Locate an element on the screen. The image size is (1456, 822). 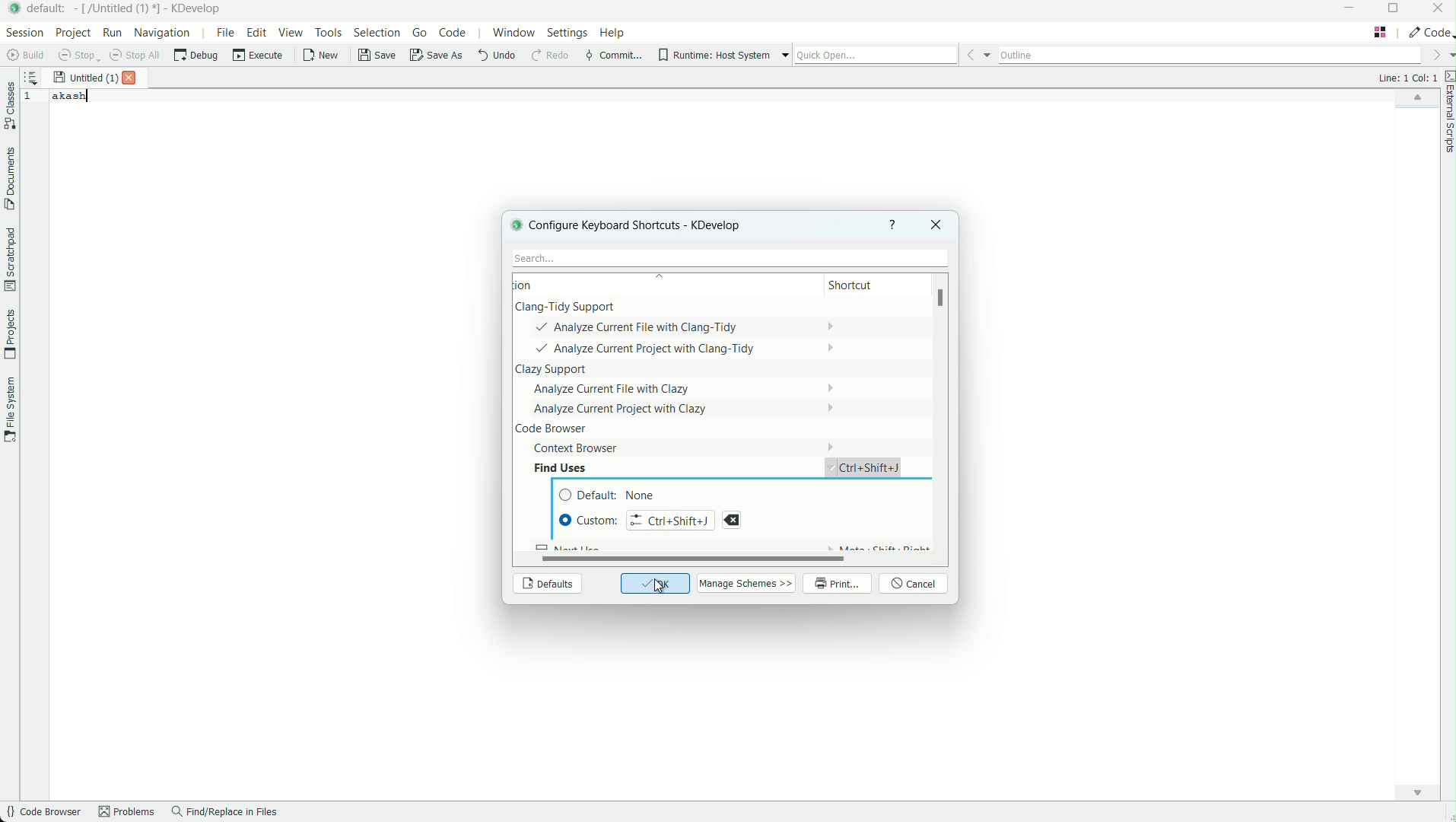
defaults is located at coordinates (546, 585).